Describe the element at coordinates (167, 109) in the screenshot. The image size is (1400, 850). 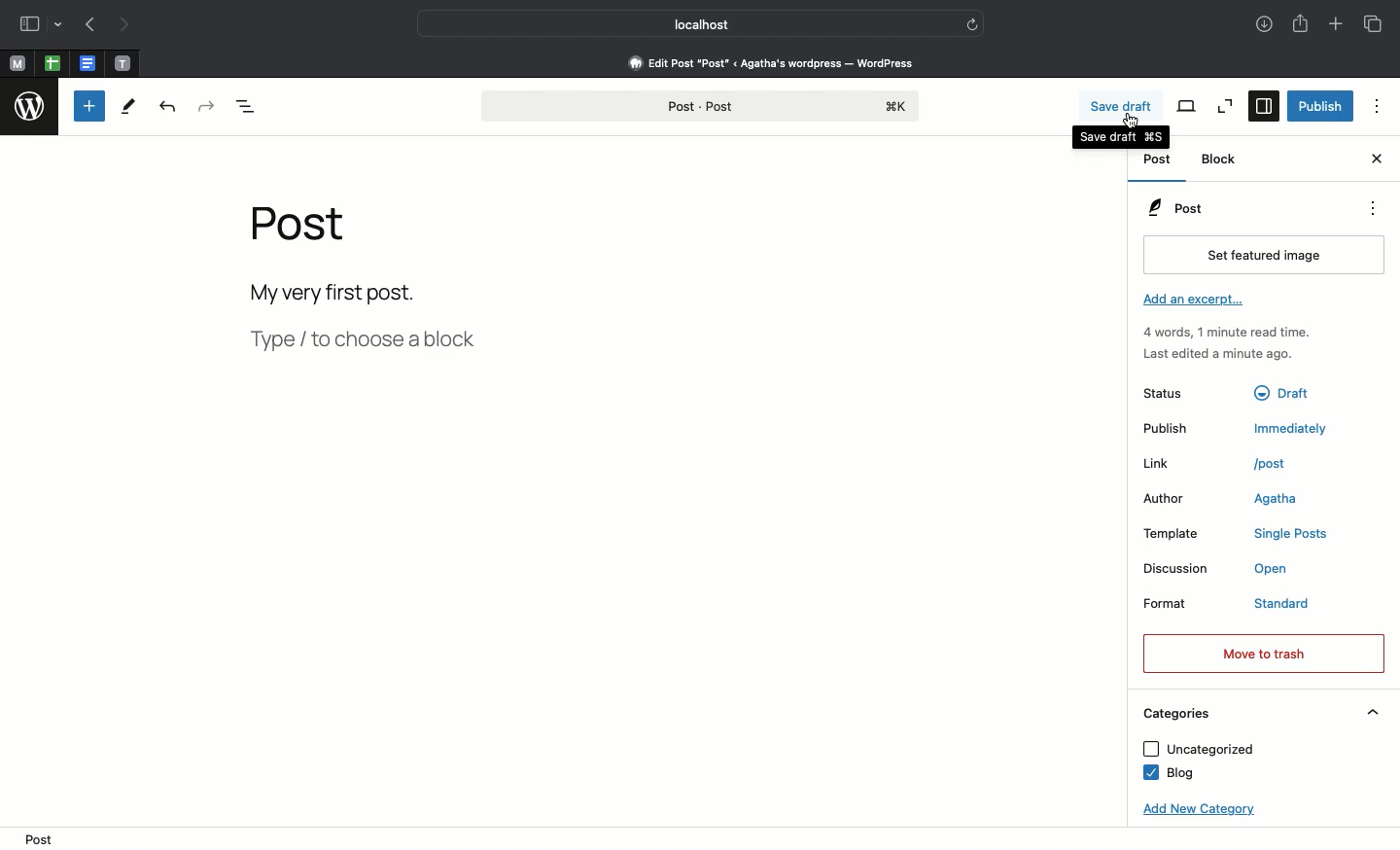
I see `Undo` at that location.